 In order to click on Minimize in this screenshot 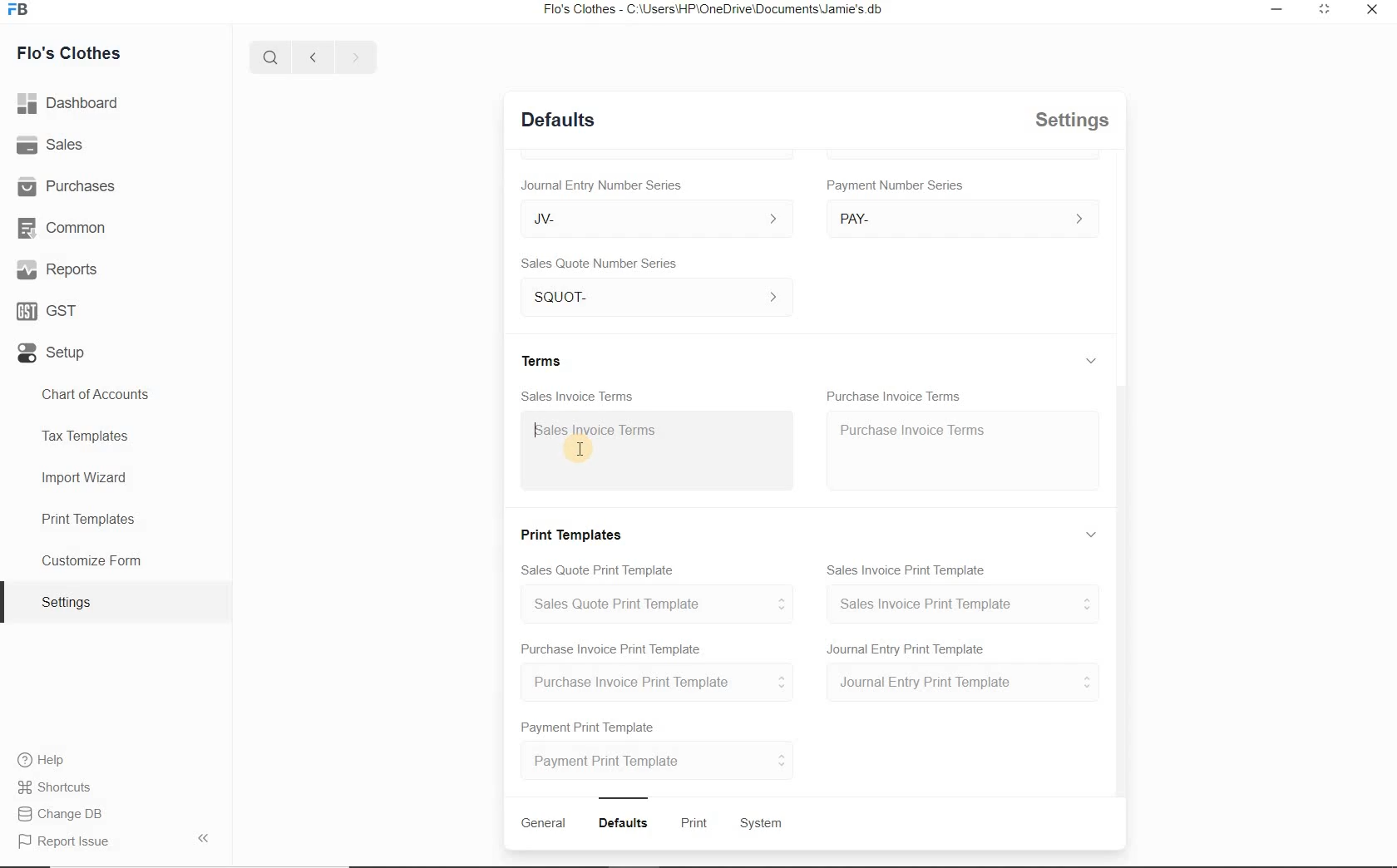, I will do `click(1276, 10)`.